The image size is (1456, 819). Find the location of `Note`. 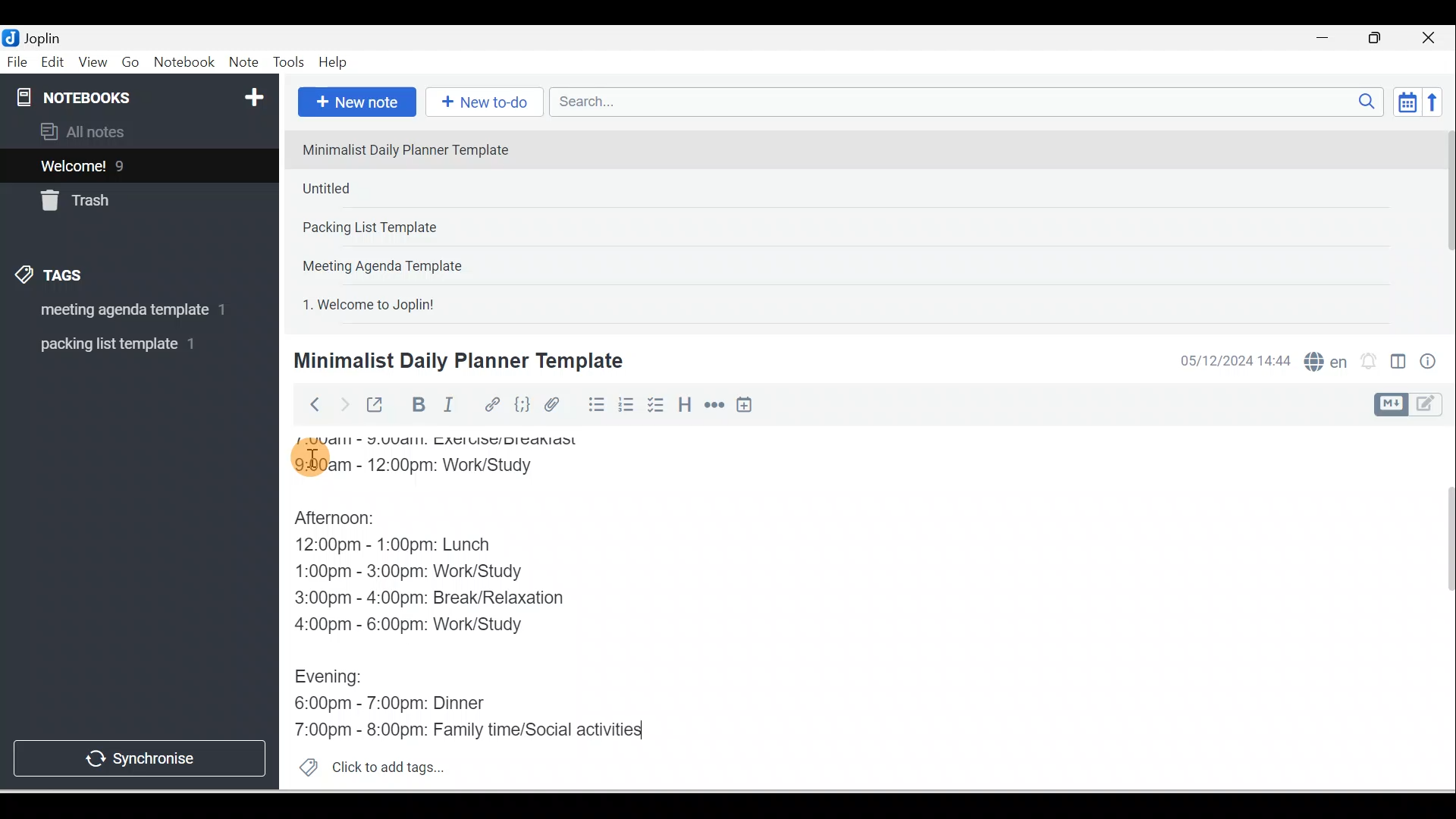

Note is located at coordinates (242, 63).